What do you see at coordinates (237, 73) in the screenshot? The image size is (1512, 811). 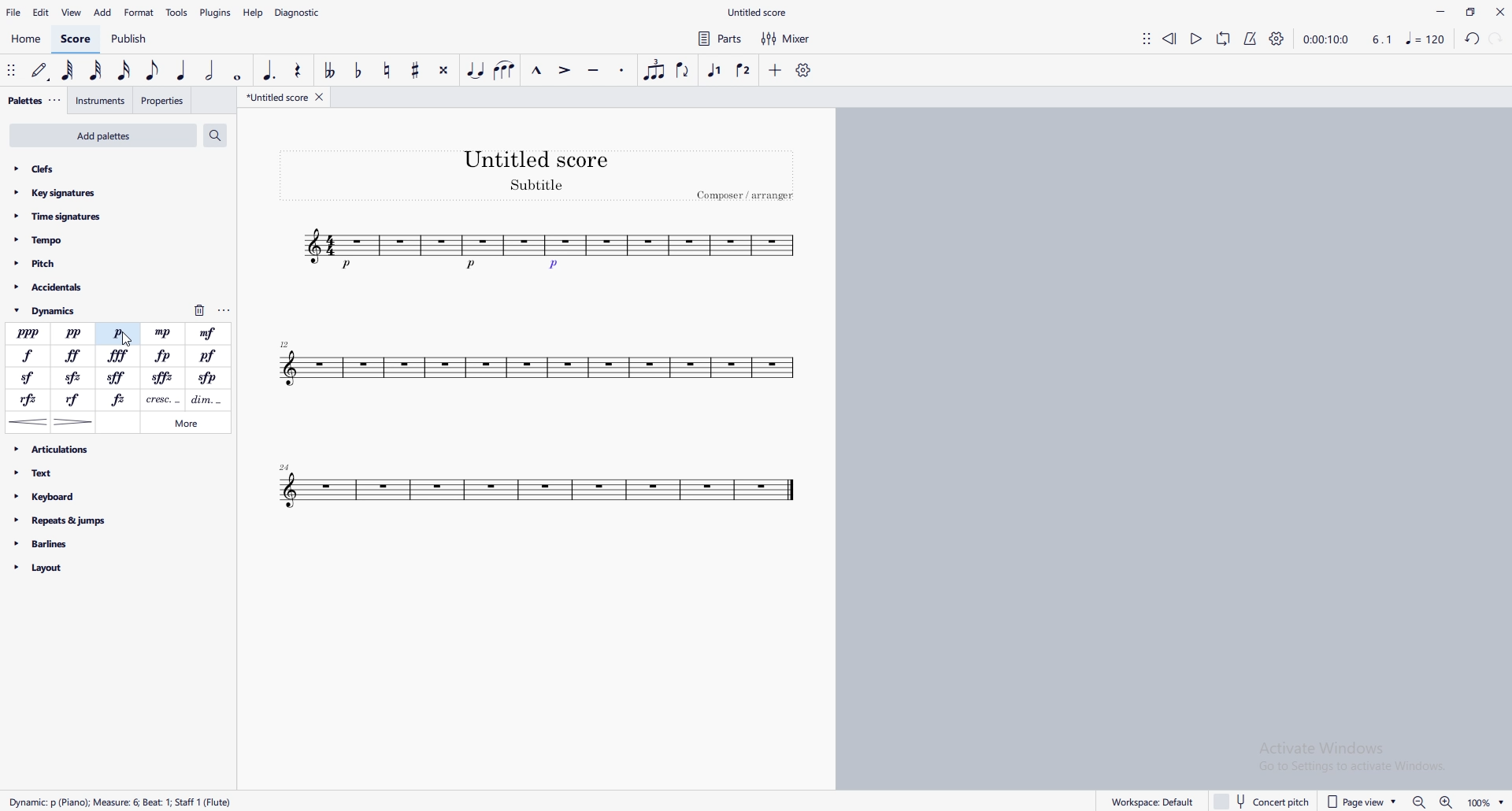 I see `whole dot` at bounding box center [237, 73].